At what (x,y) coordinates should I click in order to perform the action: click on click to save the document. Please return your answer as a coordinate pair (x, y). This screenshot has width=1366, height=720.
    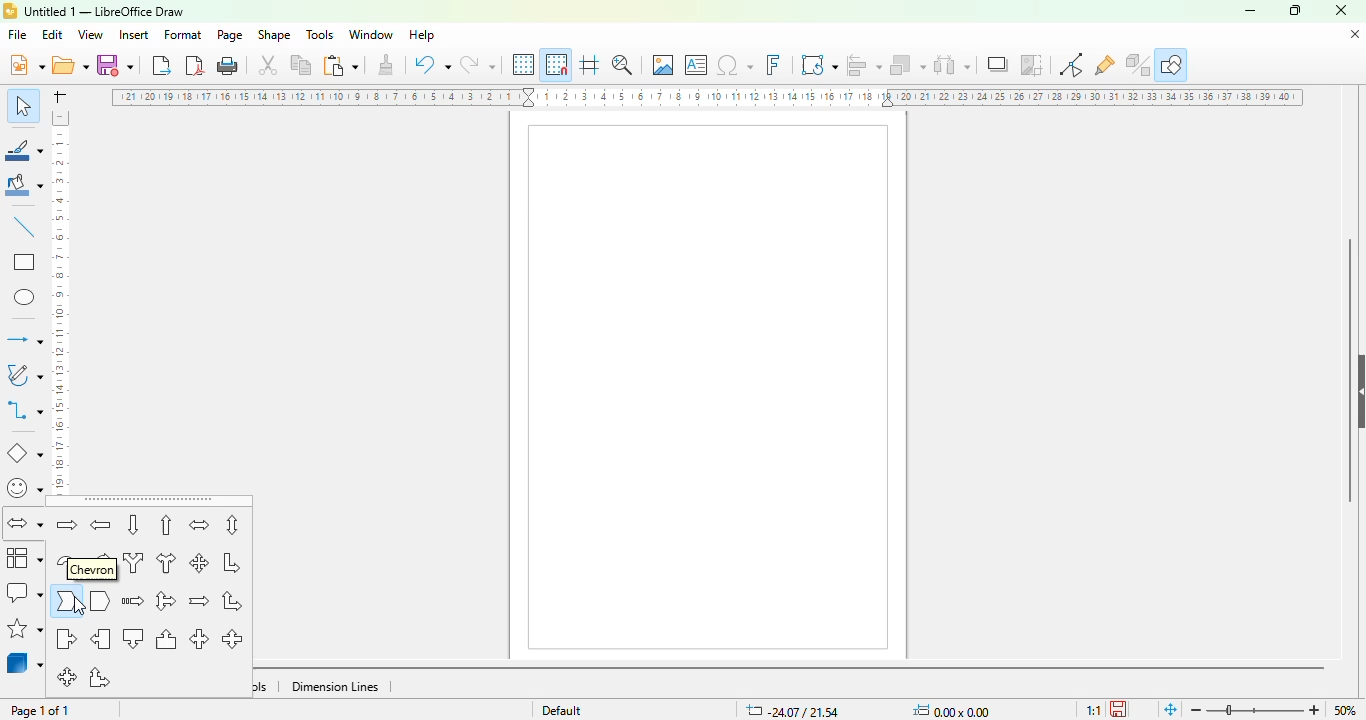
    Looking at the image, I should click on (1118, 709).